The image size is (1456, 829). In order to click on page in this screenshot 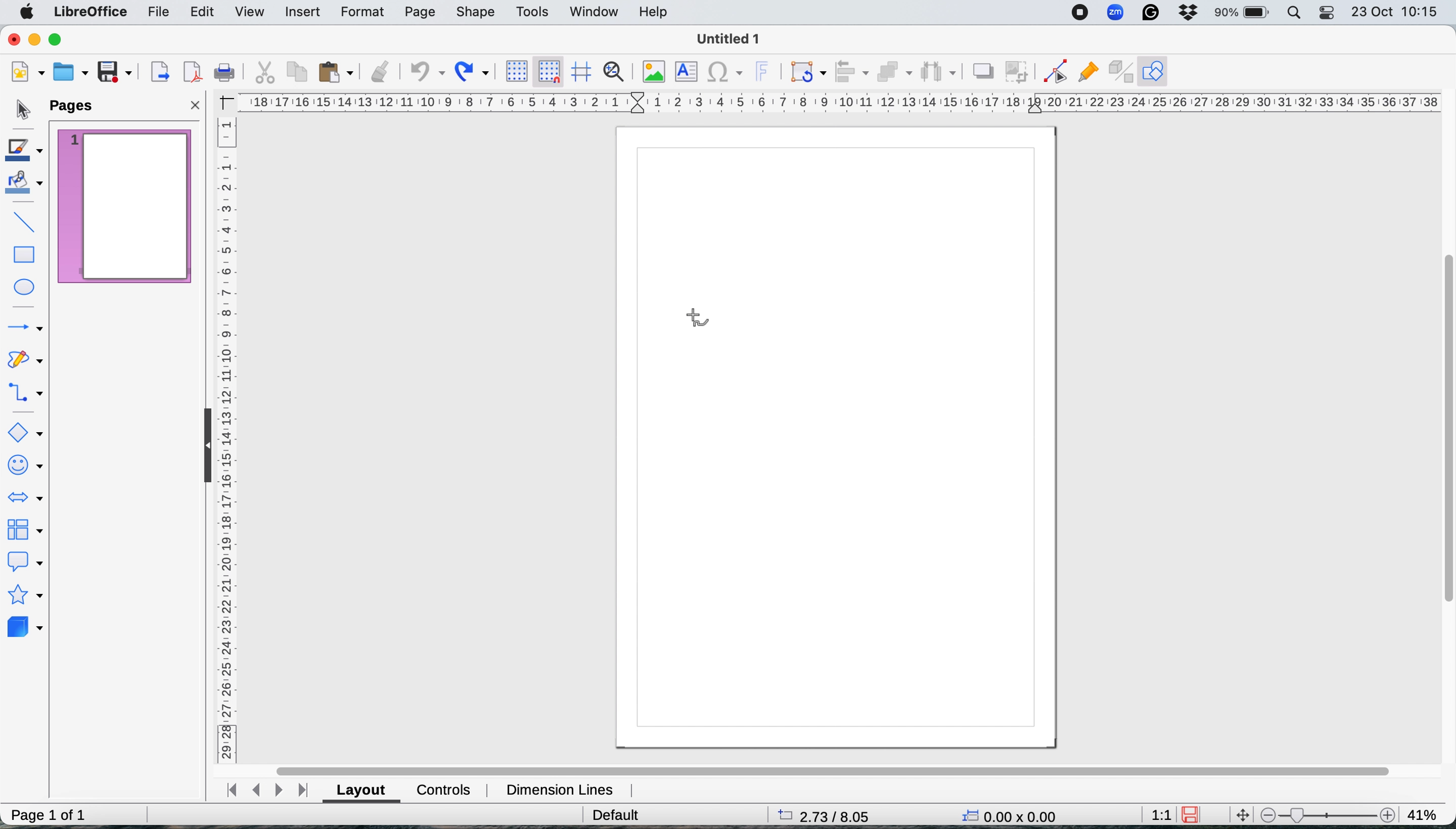, I will do `click(421, 13)`.